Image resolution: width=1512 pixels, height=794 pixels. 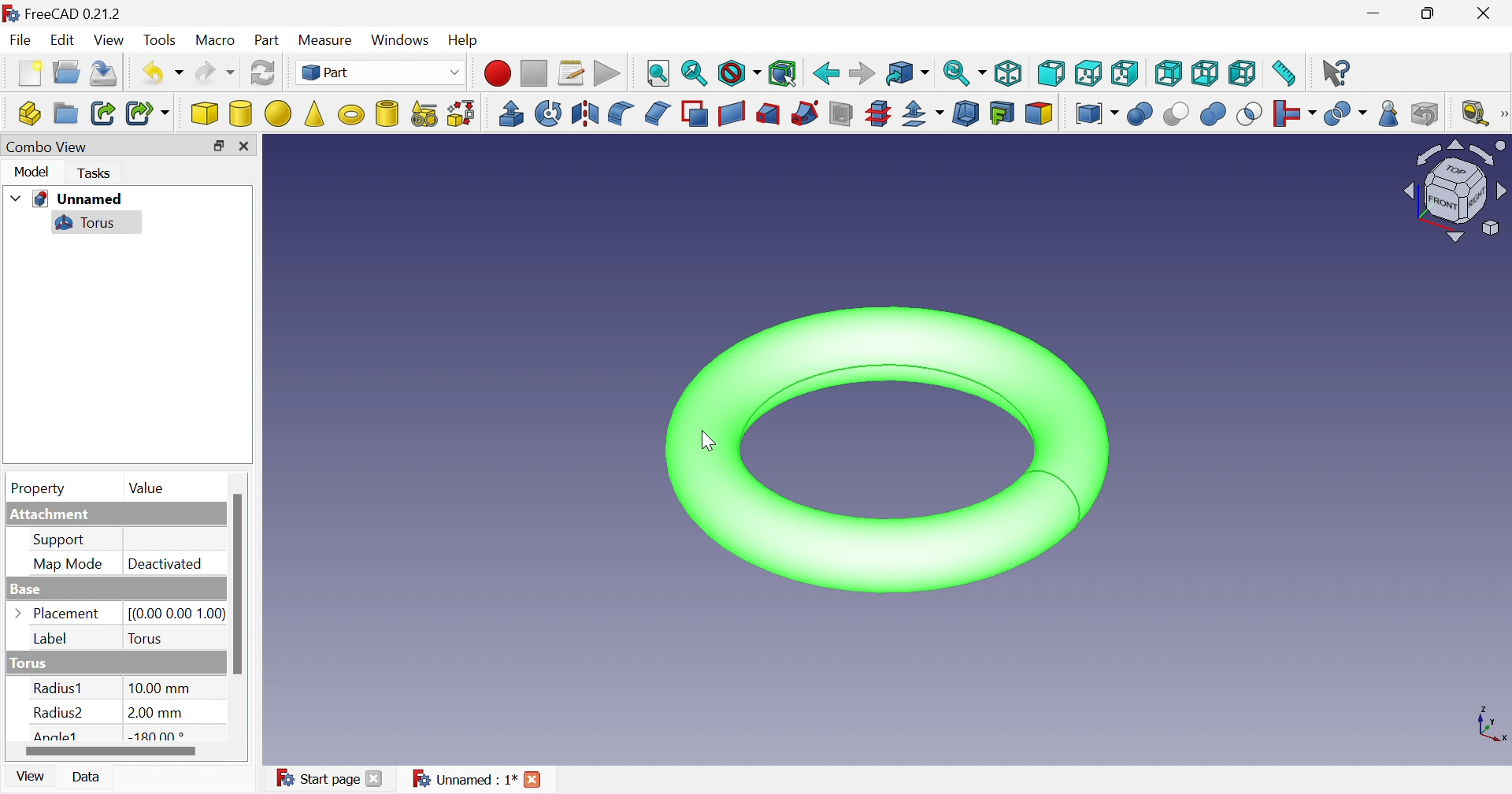 I want to click on Sub-sections, so click(x=877, y=113).